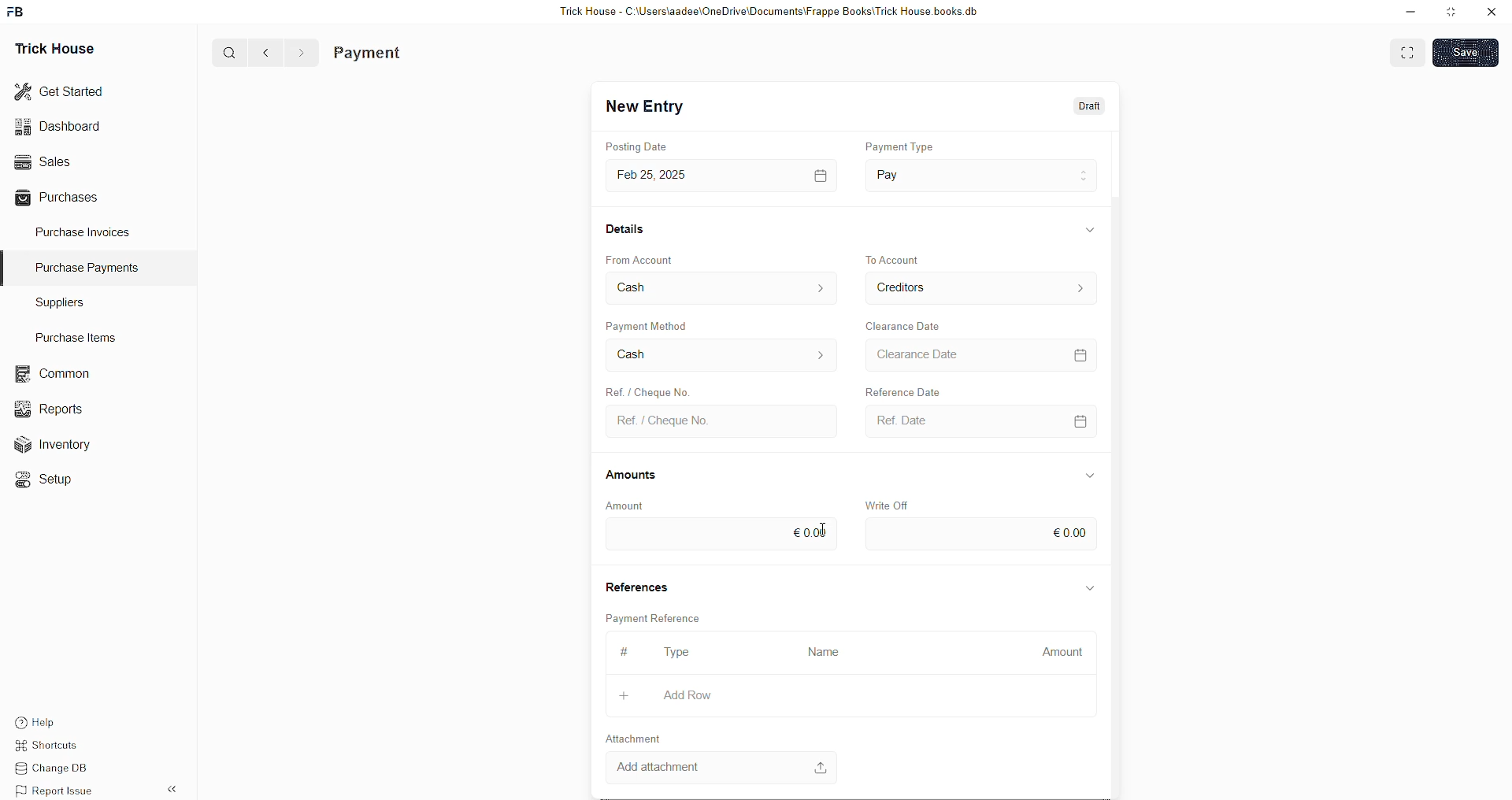 The image size is (1512, 800). Describe the element at coordinates (1469, 51) in the screenshot. I see `SAVE` at that location.